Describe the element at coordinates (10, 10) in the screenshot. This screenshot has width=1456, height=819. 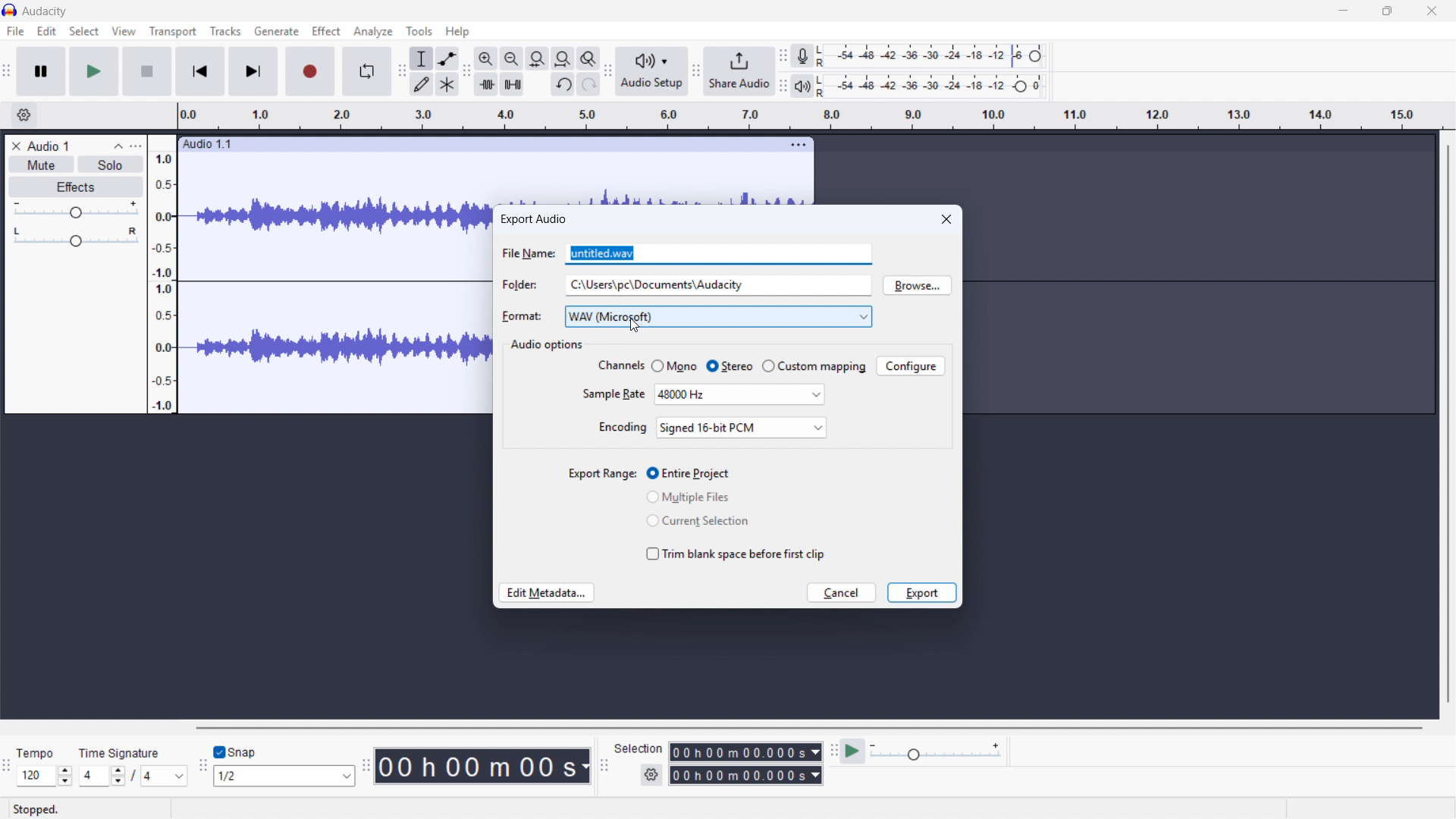
I see `Logo ` at that location.